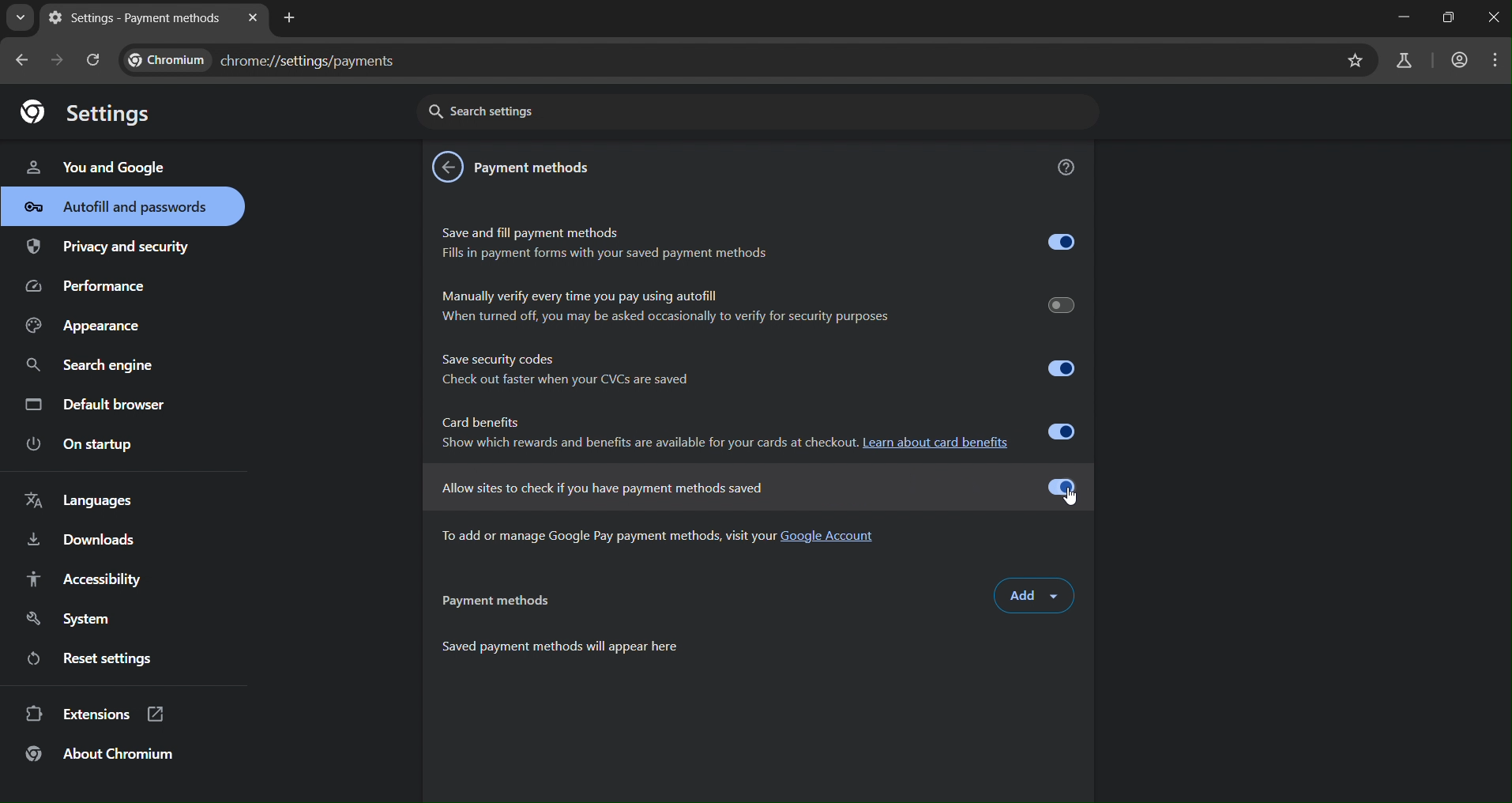 This screenshot has width=1512, height=803. I want to click on minimize, so click(1401, 17).